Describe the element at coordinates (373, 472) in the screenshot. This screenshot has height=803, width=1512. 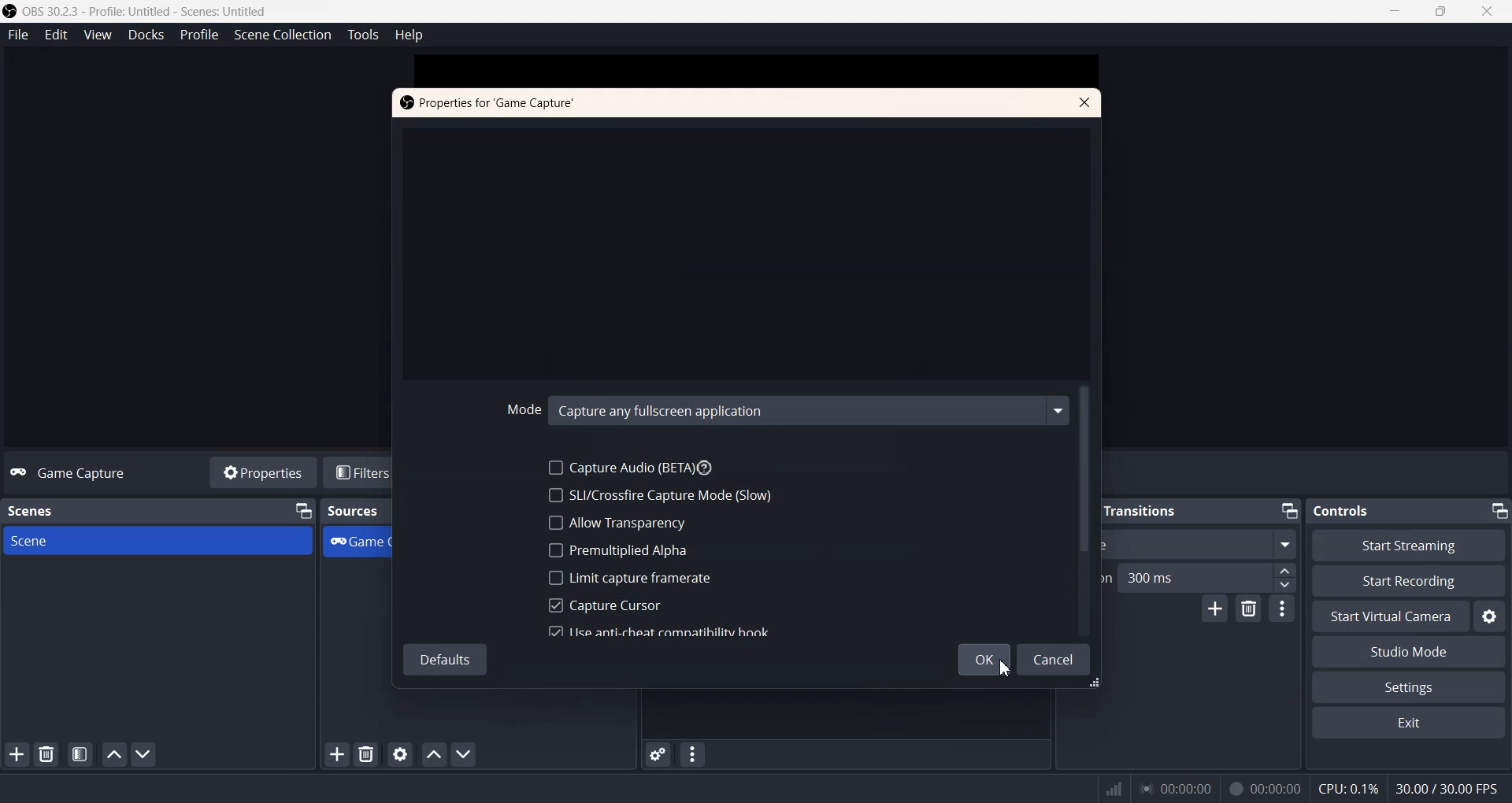
I see `Filters` at that location.